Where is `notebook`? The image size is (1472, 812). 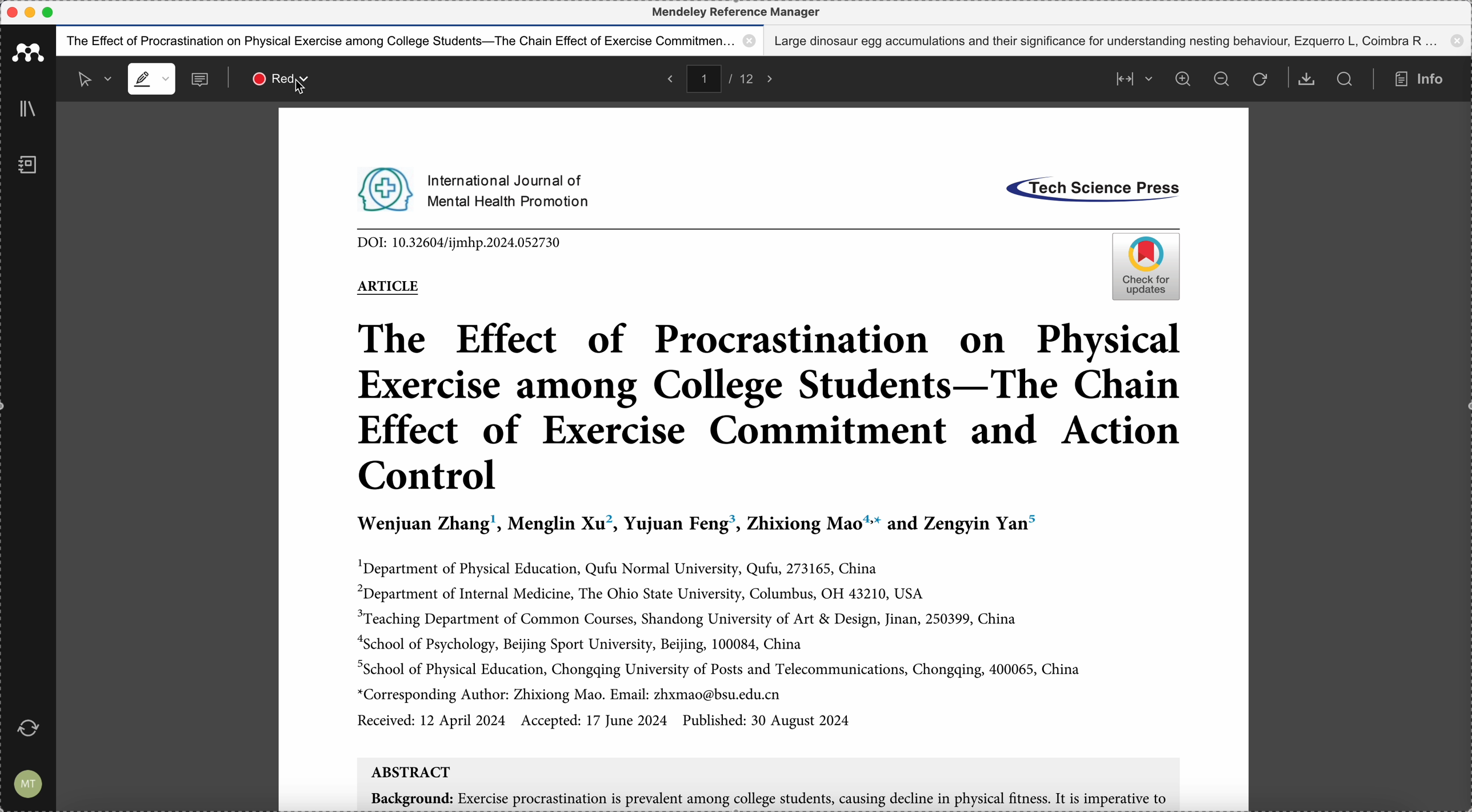 notebook is located at coordinates (27, 167).